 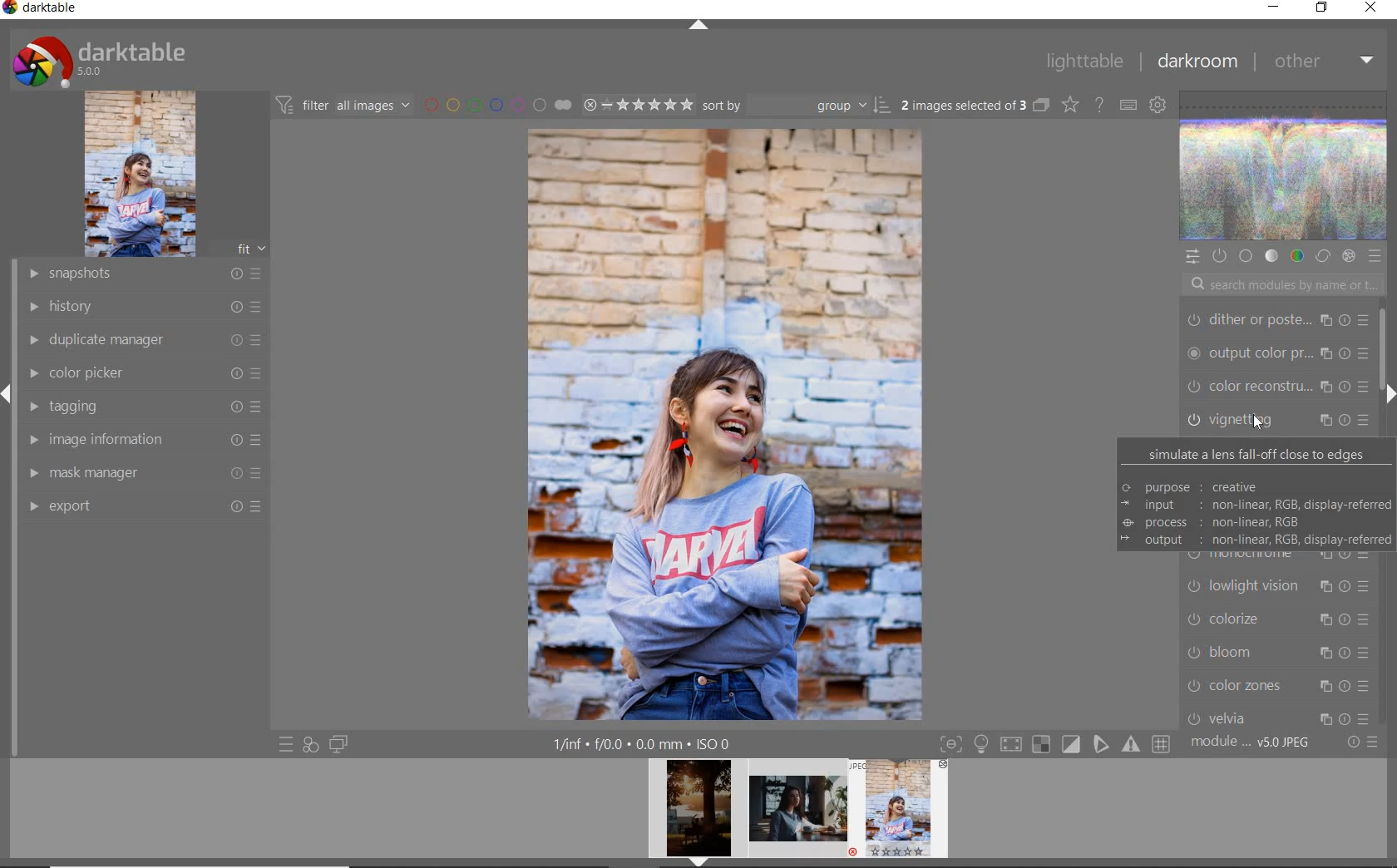 What do you see at coordinates (1279, 287) in the screenshot?
I see `search modules` at bounding box center [1279, 287].